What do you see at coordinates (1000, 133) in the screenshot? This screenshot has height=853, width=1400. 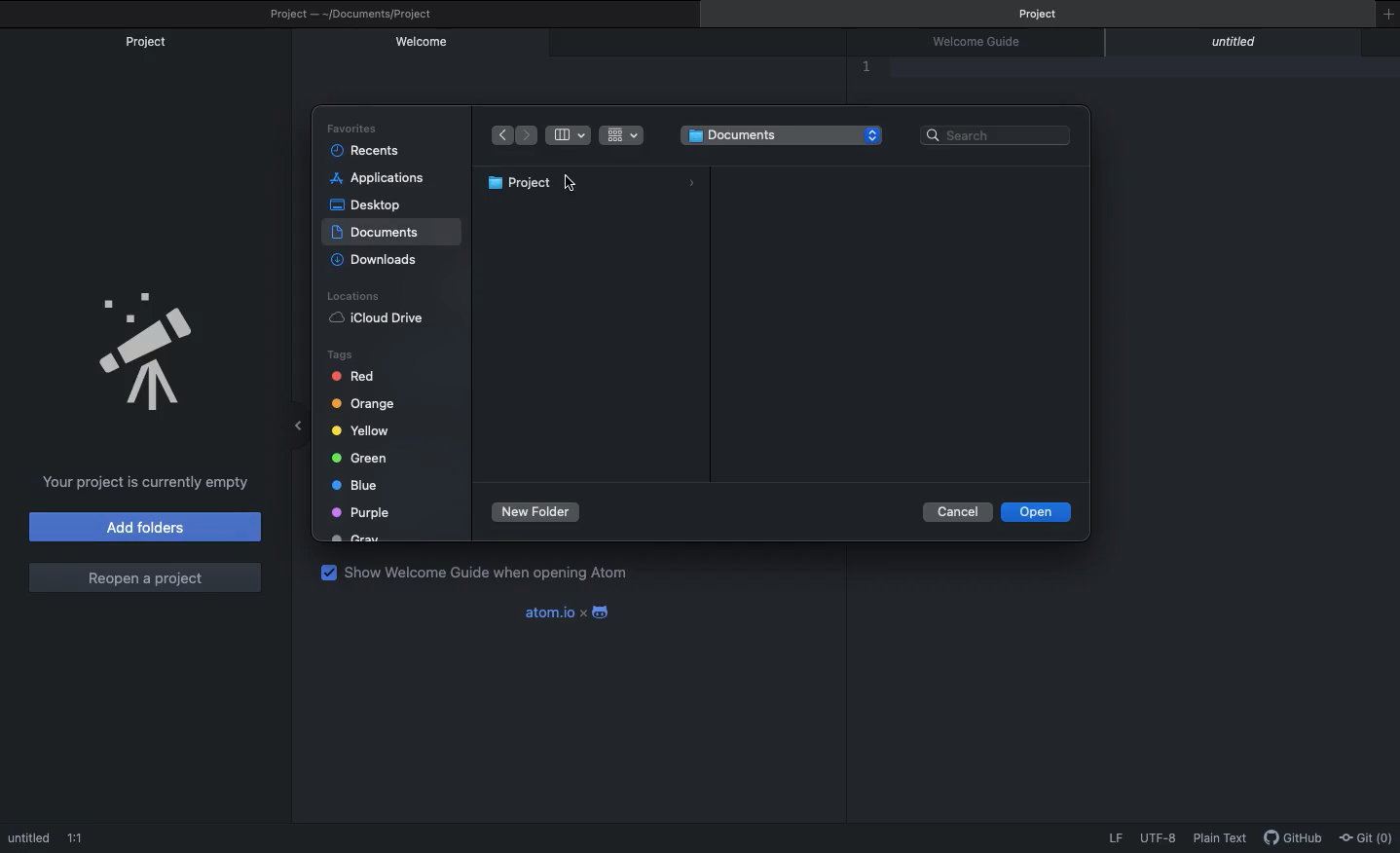 I see `Search` at bounding box center [1000, 133].